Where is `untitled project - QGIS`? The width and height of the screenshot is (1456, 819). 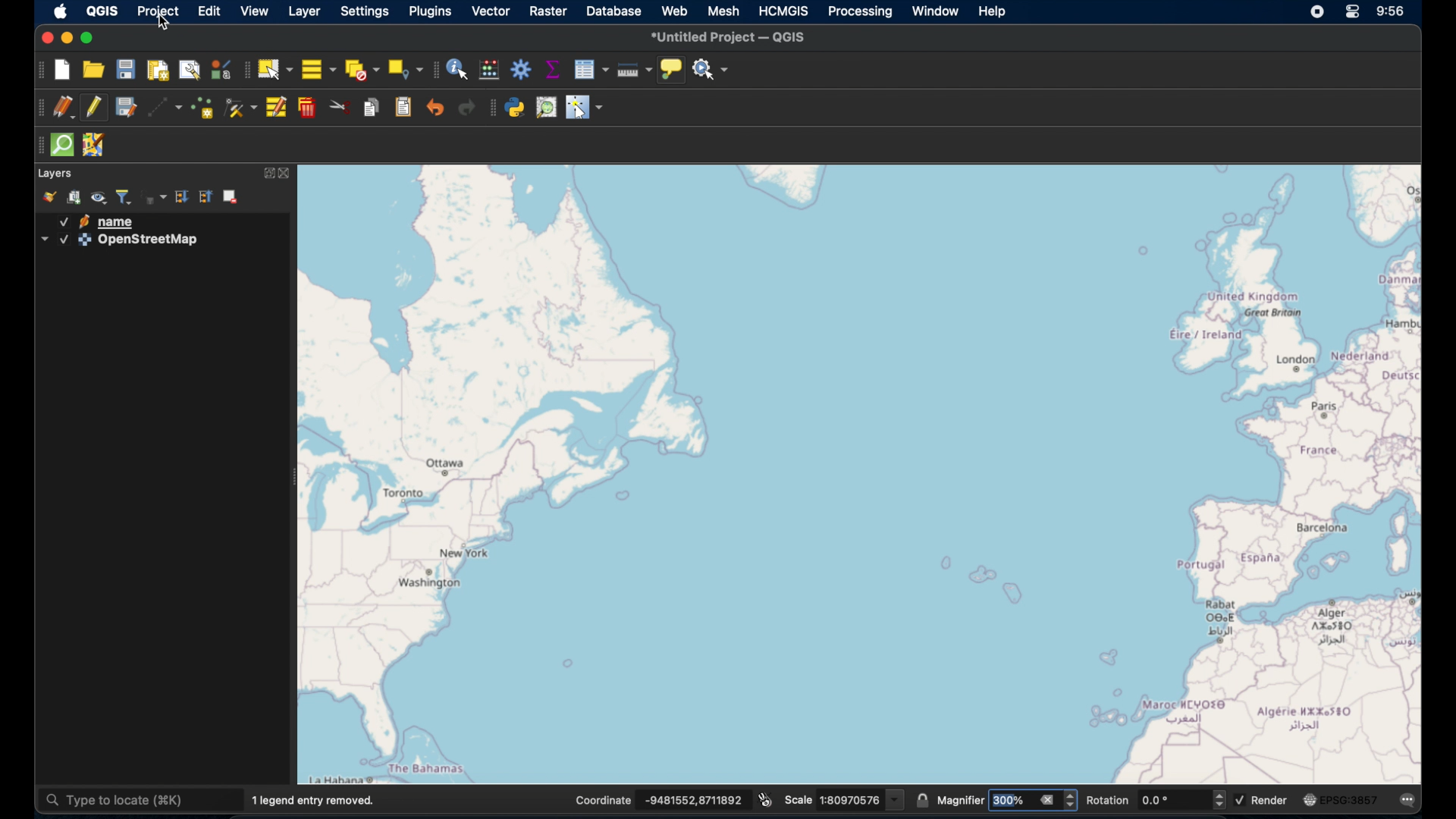
untitled project - QGIS is located at coordinates (730, 37).